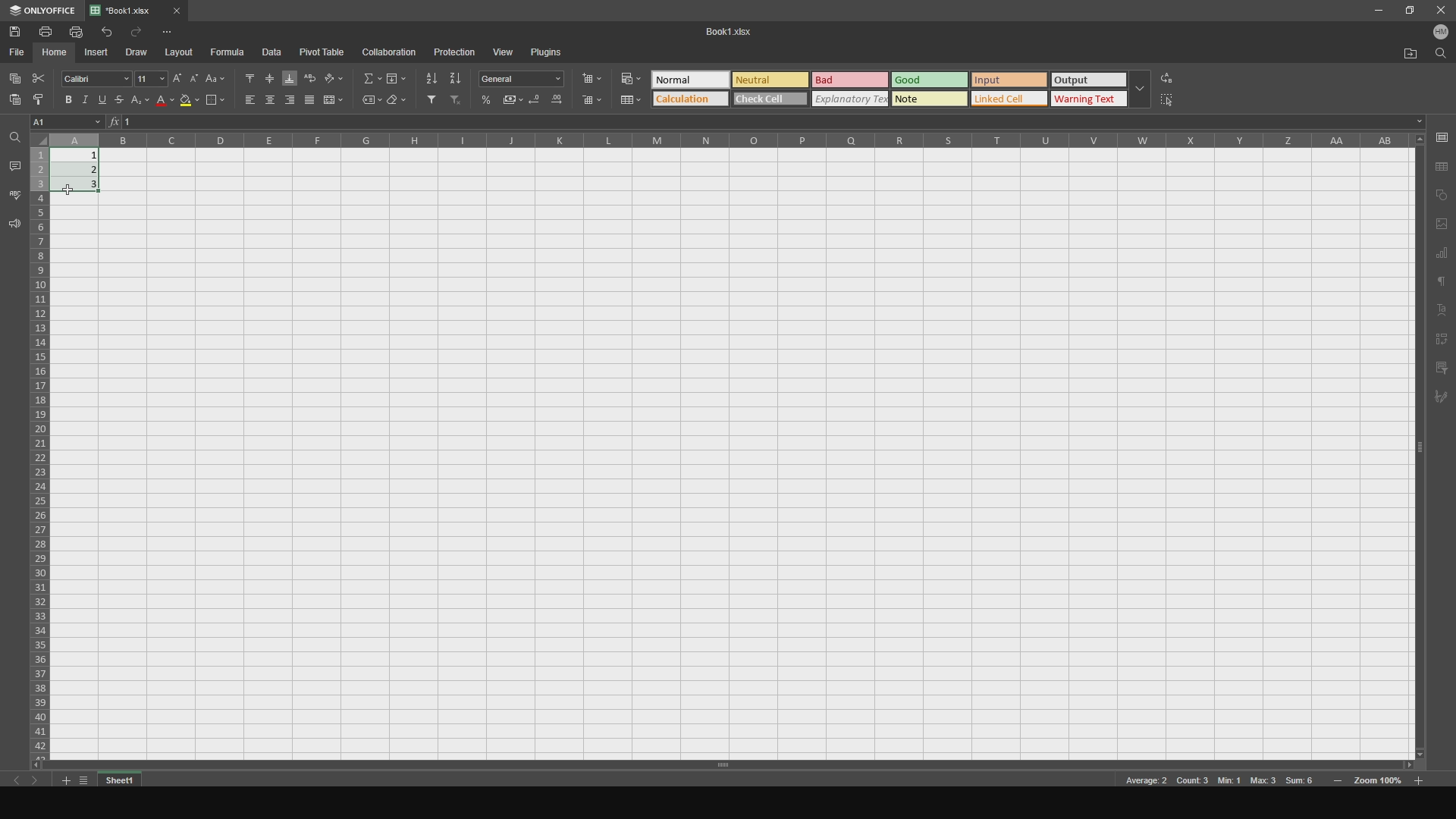 The height and width of the screenshot is (819, 1456). I want to click on summation, so click(368, 77).